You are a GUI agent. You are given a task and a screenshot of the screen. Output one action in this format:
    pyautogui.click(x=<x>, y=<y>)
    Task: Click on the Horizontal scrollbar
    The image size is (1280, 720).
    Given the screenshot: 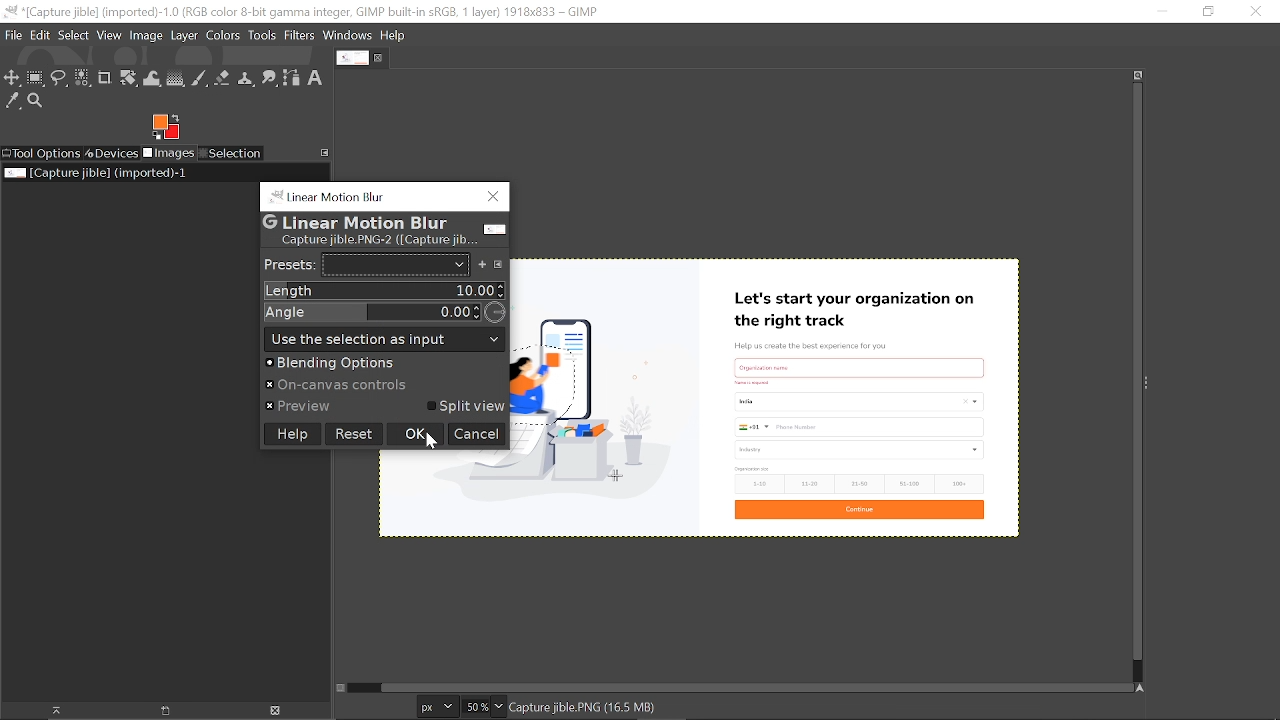 What is the action you would take?
    pyautogui.click(x=745, y=684)
    